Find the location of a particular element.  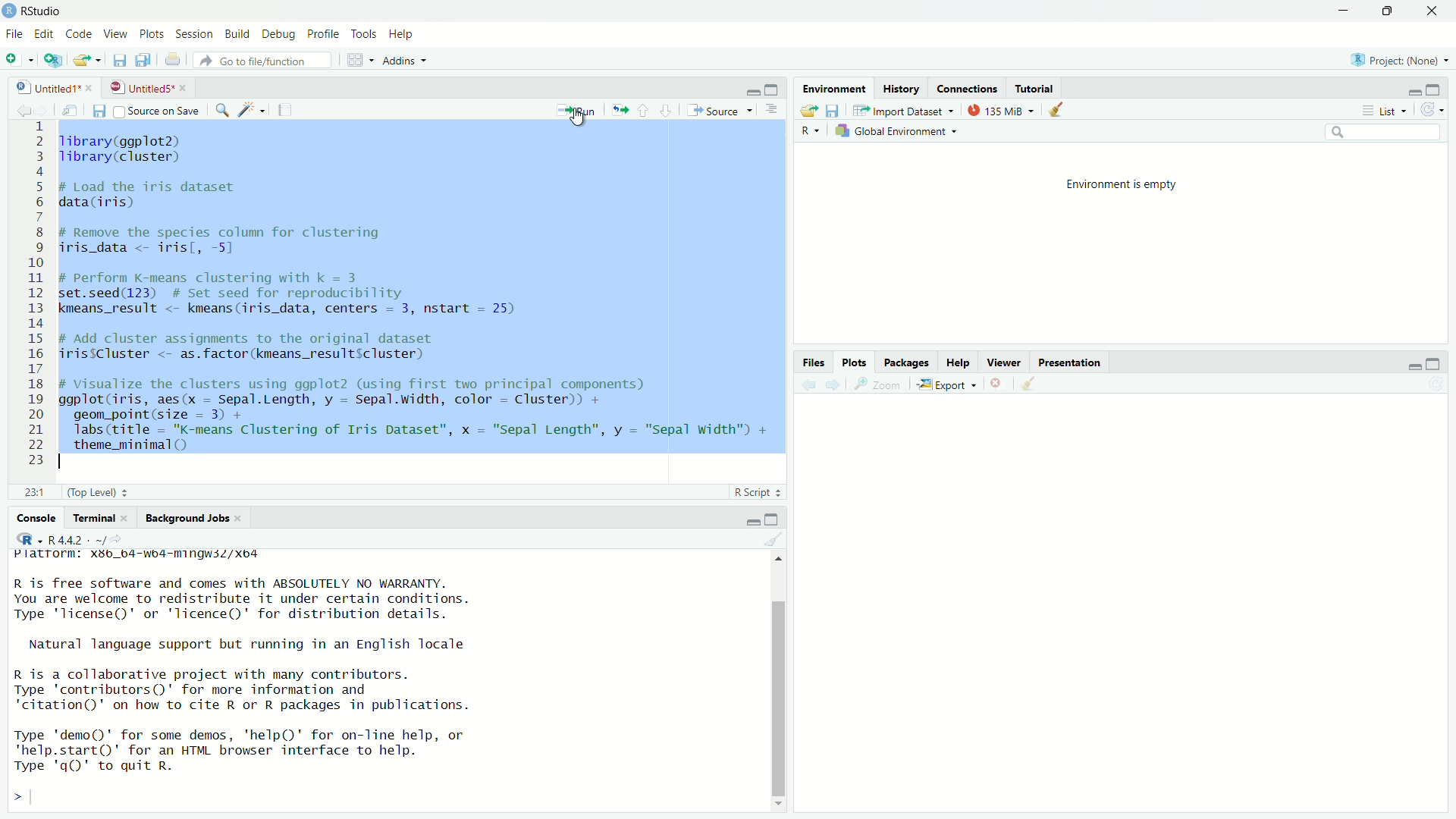

logo is located at coordinates (9, 9).